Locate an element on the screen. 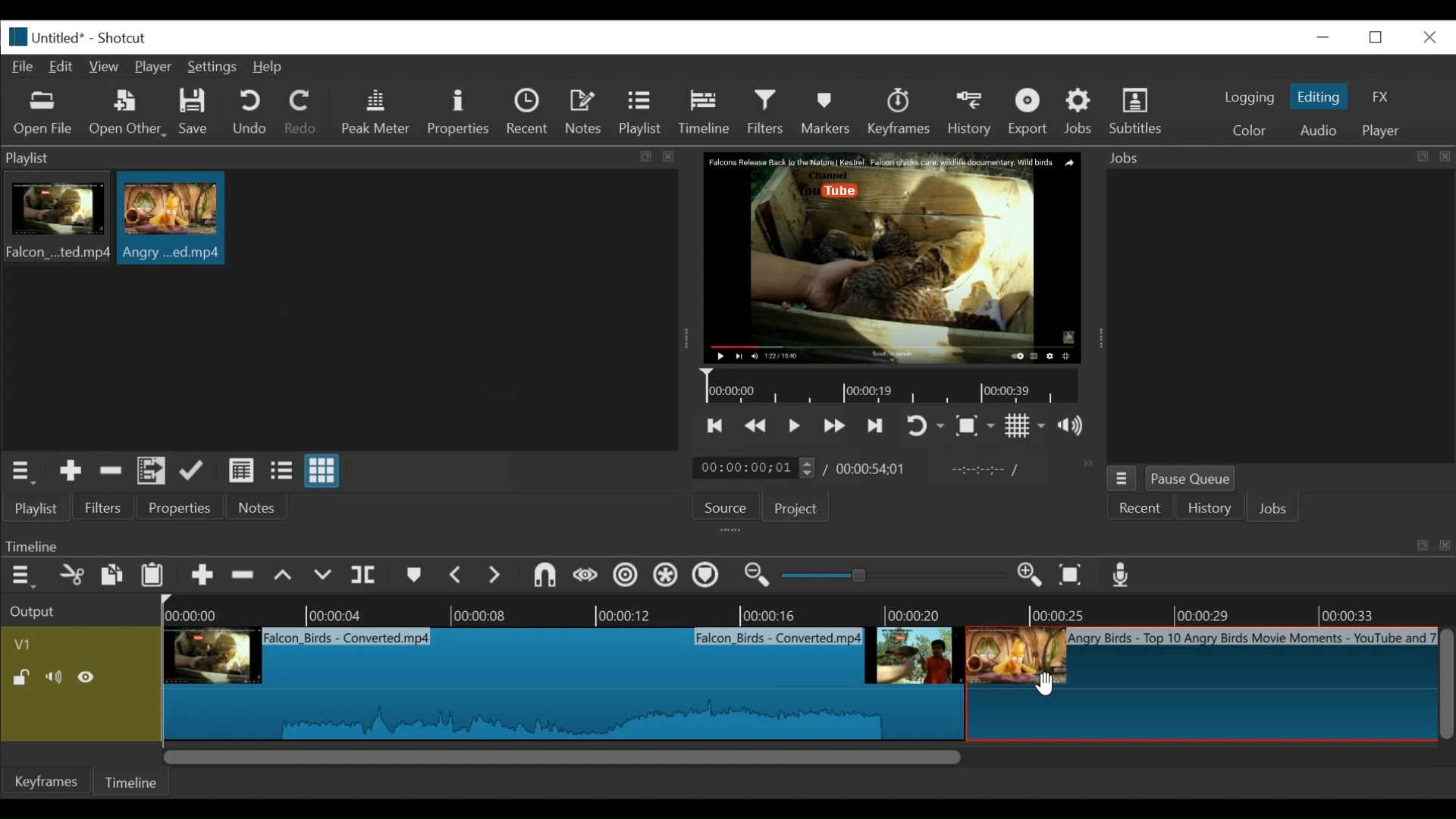 The height and width of the screenshot is (819, 1456). Total duration is located at coordinates (876, 469).